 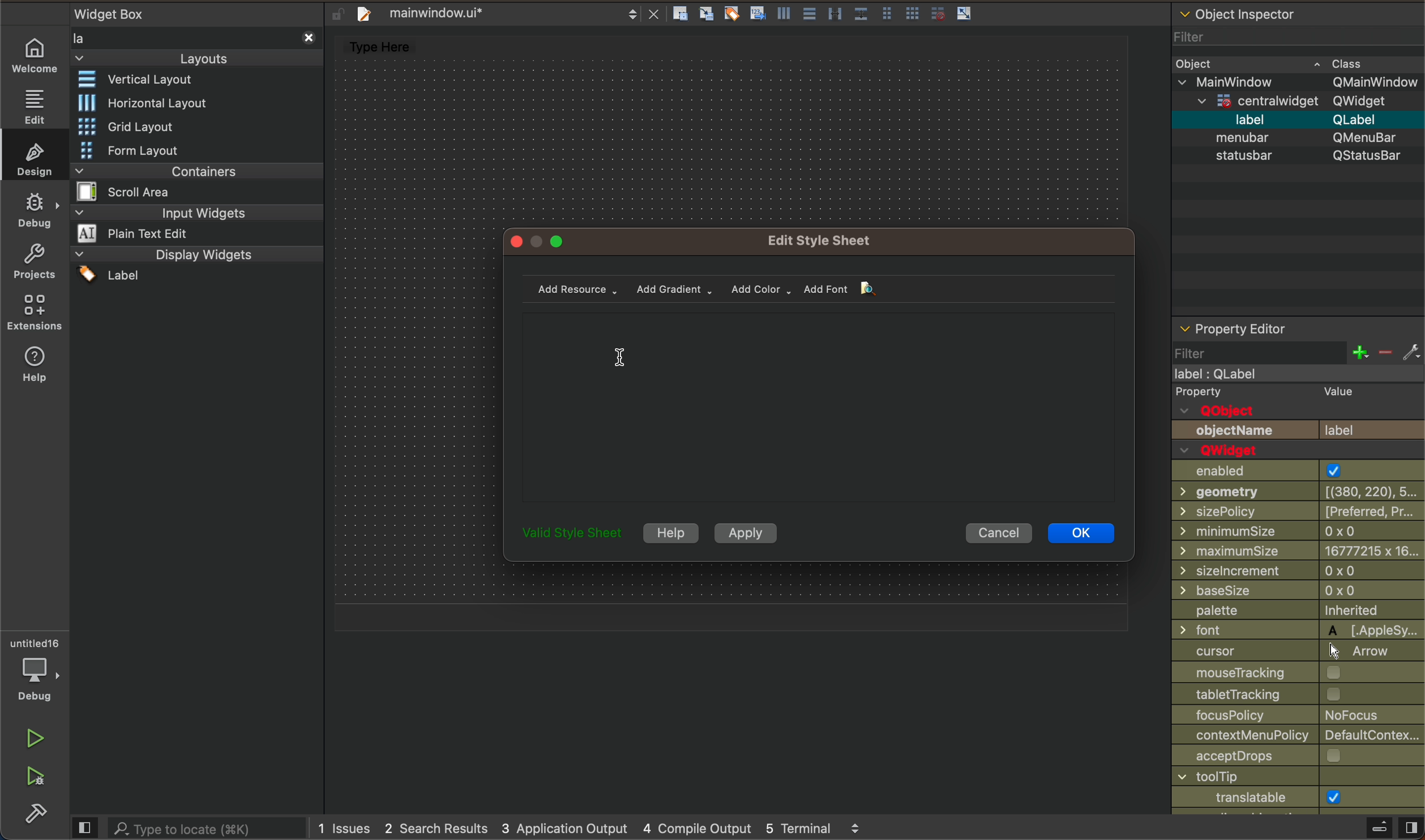 What do you see at coordinates (400, 46) in the screenshot?
I see `e Here` at bounding box center [400, 46].